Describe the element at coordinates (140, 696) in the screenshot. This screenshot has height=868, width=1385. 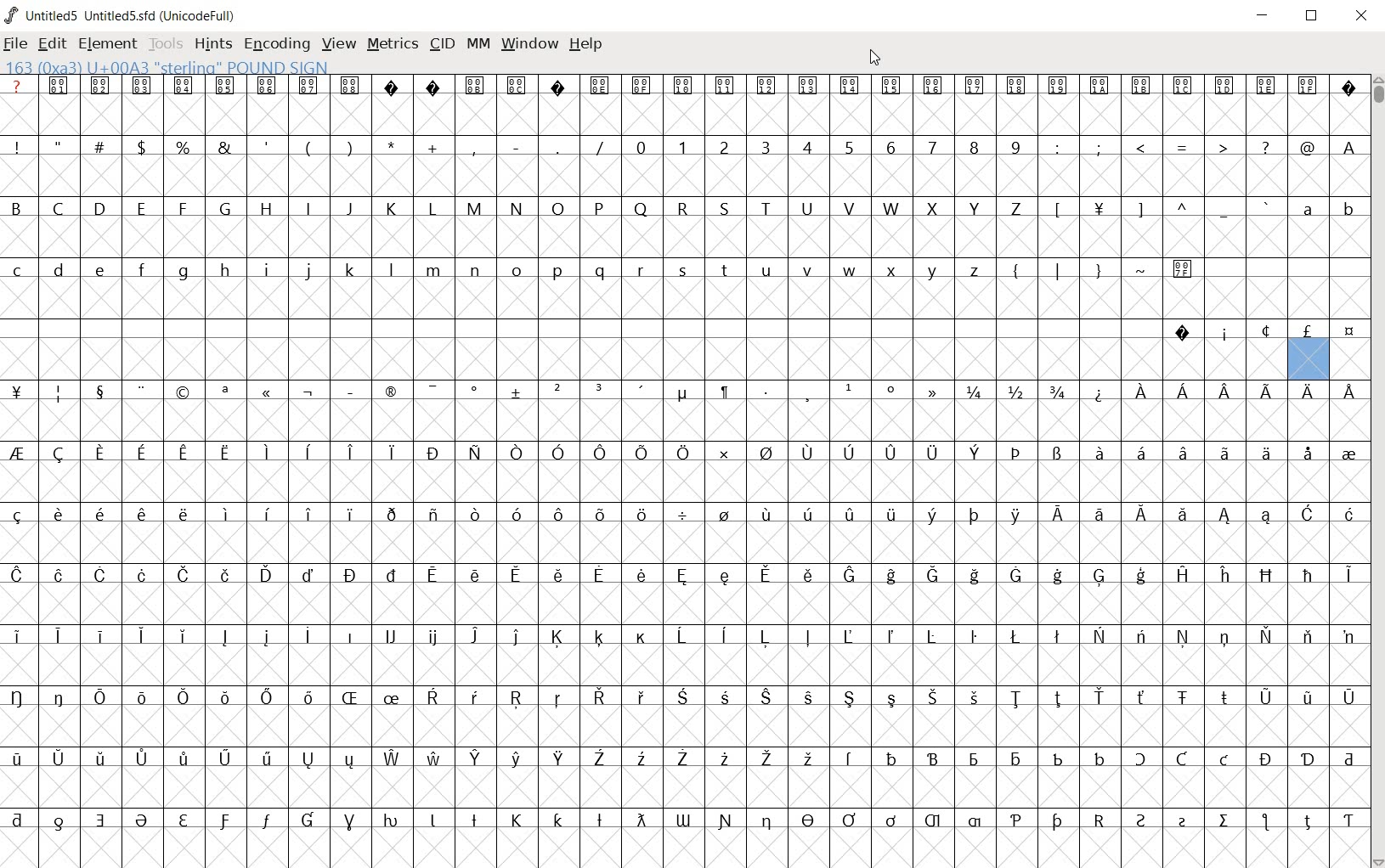
I see `Symbol` at that location.